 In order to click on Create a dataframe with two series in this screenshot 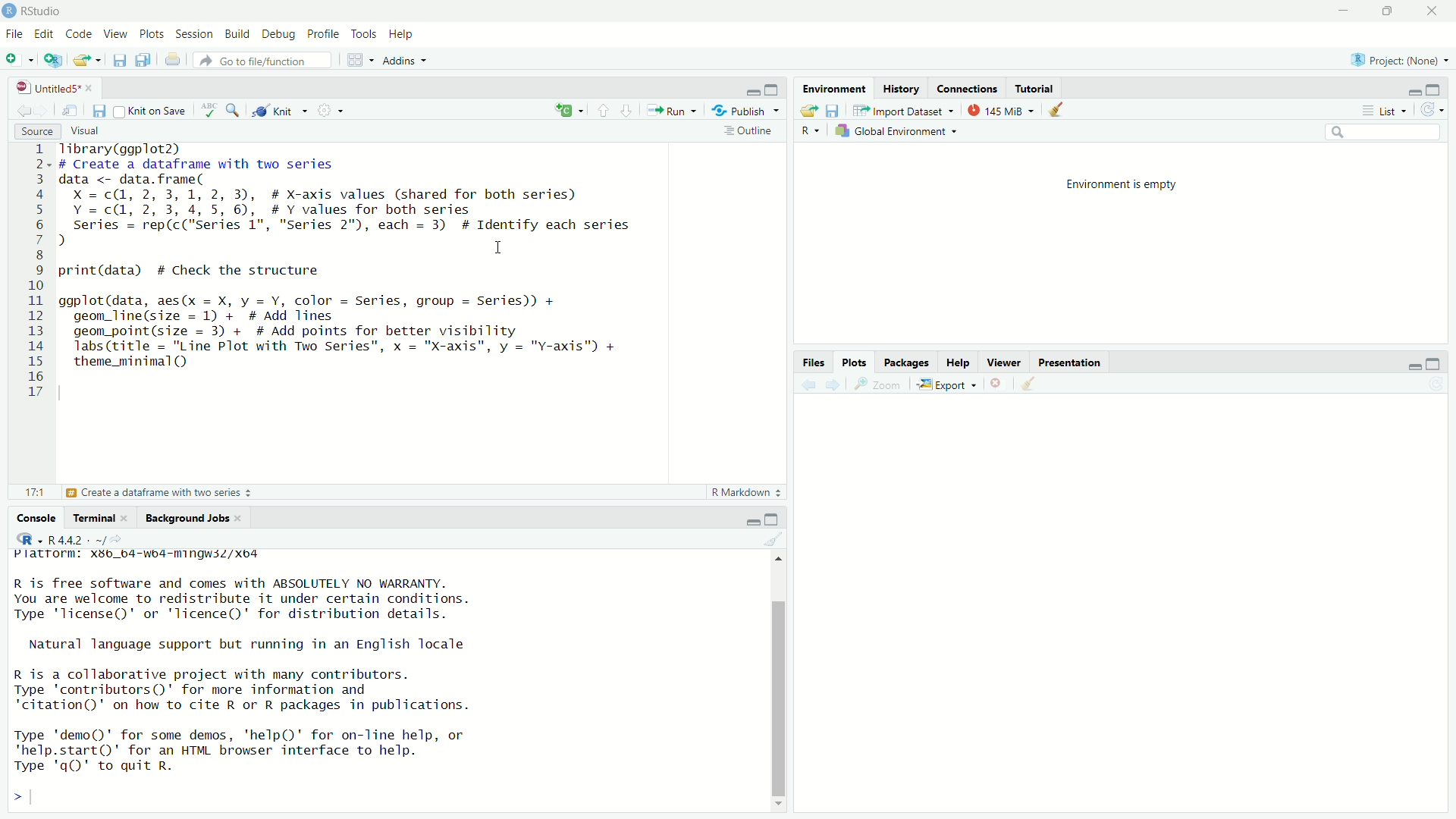, I will do `click(160, 493)`.